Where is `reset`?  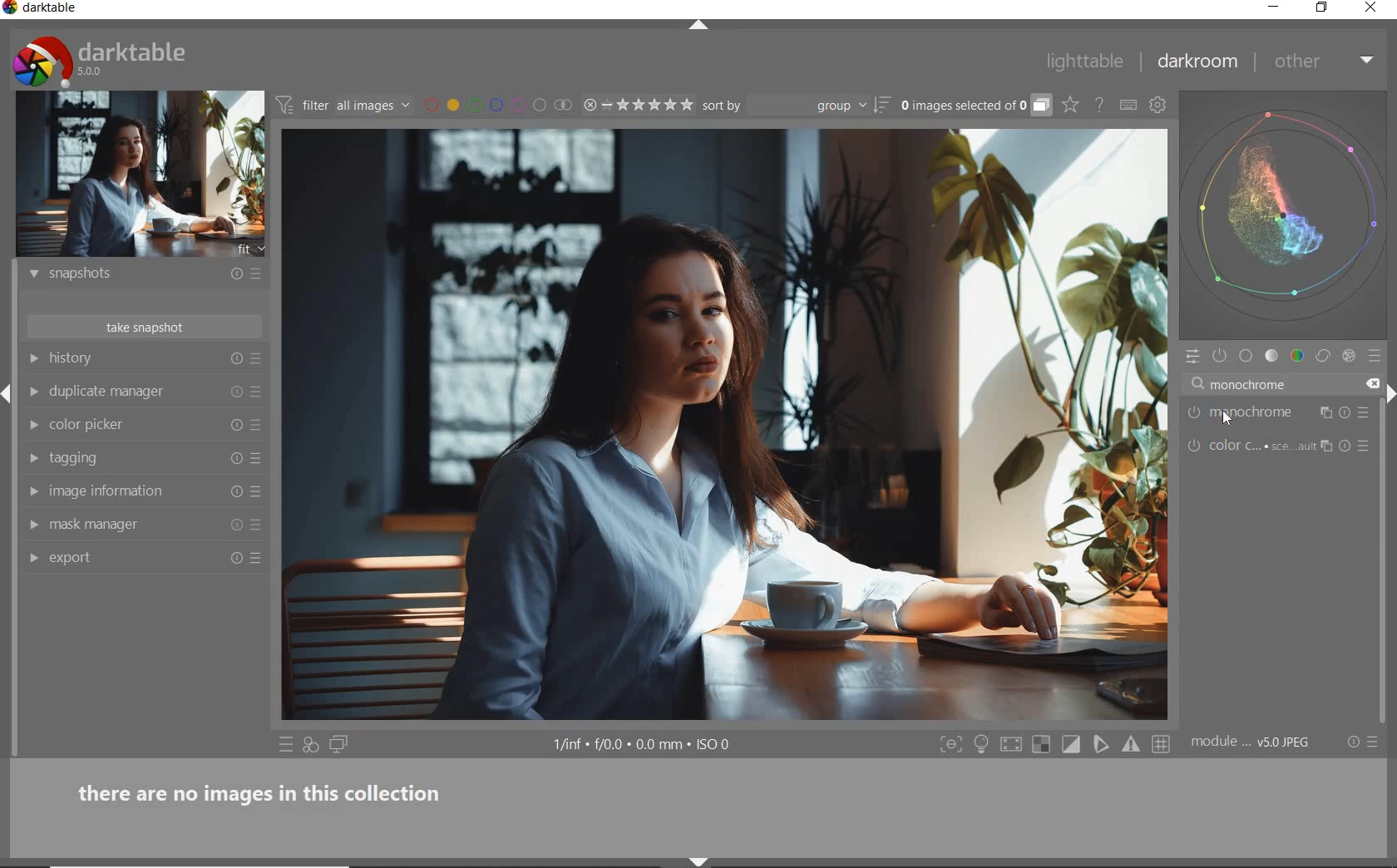 reset is located at coordinates (236, 423).